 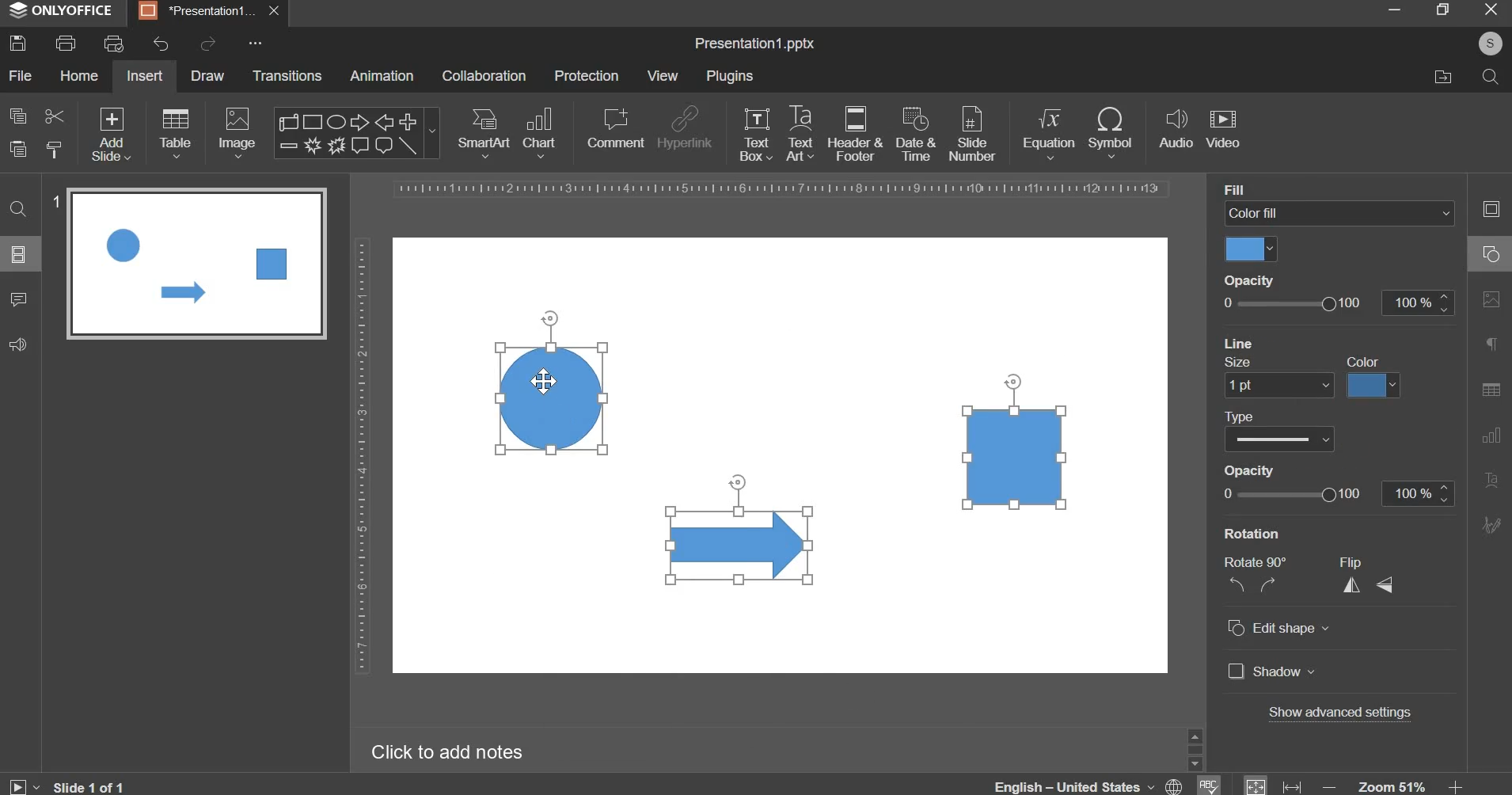 What do you see at coordinates (1207, 784) in the screenshot?
I see `language` at bounding box center [1207, 784].